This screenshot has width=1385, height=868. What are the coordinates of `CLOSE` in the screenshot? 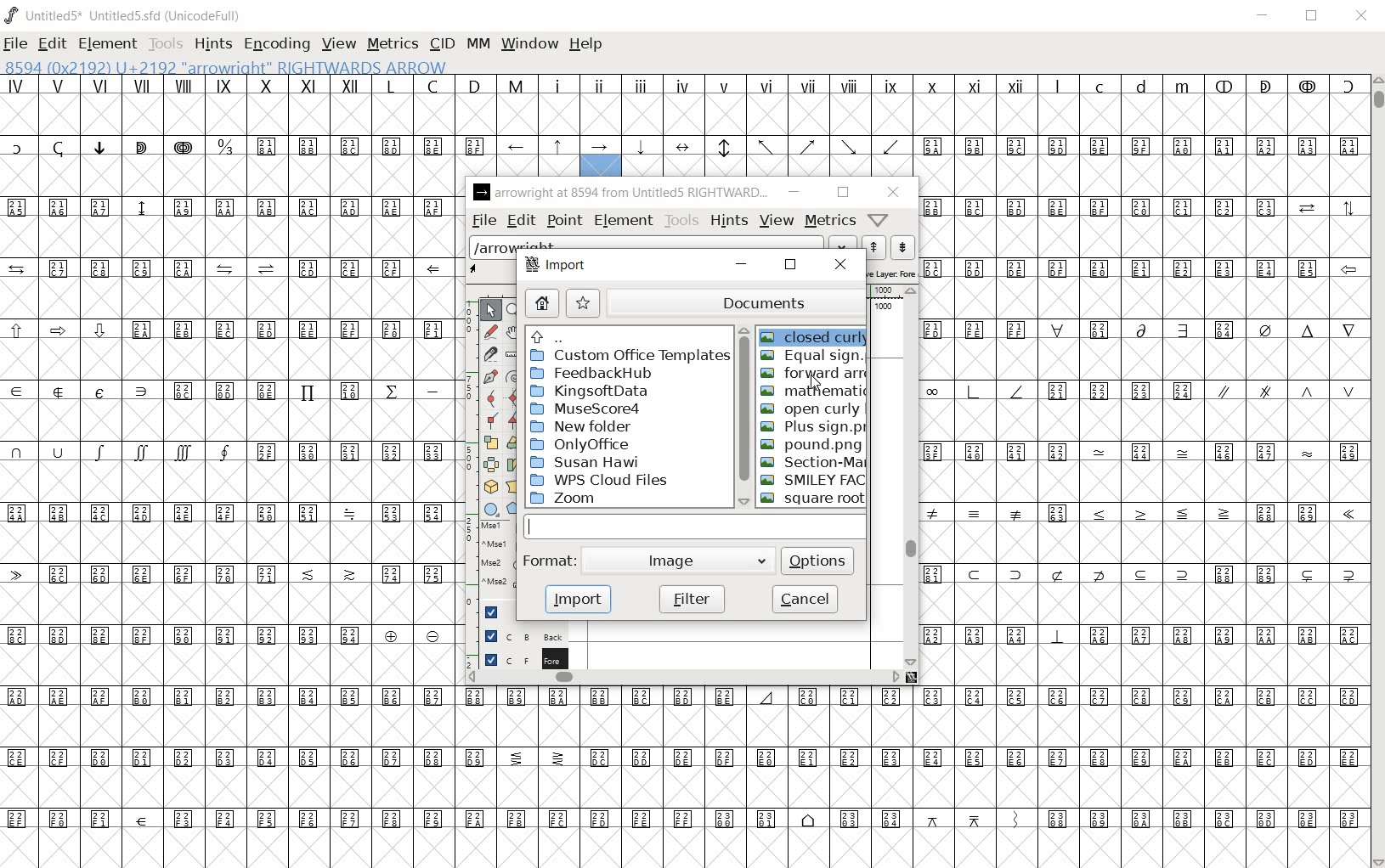 It's located at (1361, 18).